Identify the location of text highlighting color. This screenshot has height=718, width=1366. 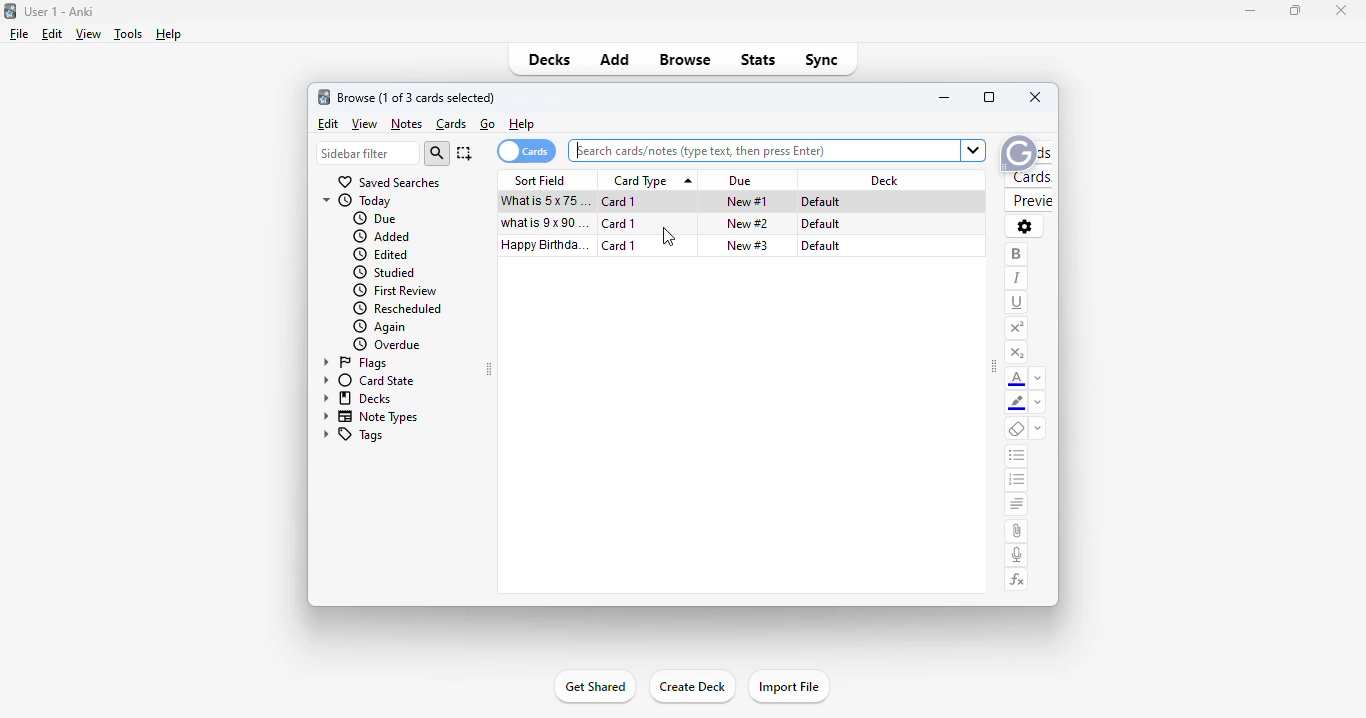
(1016, 403).